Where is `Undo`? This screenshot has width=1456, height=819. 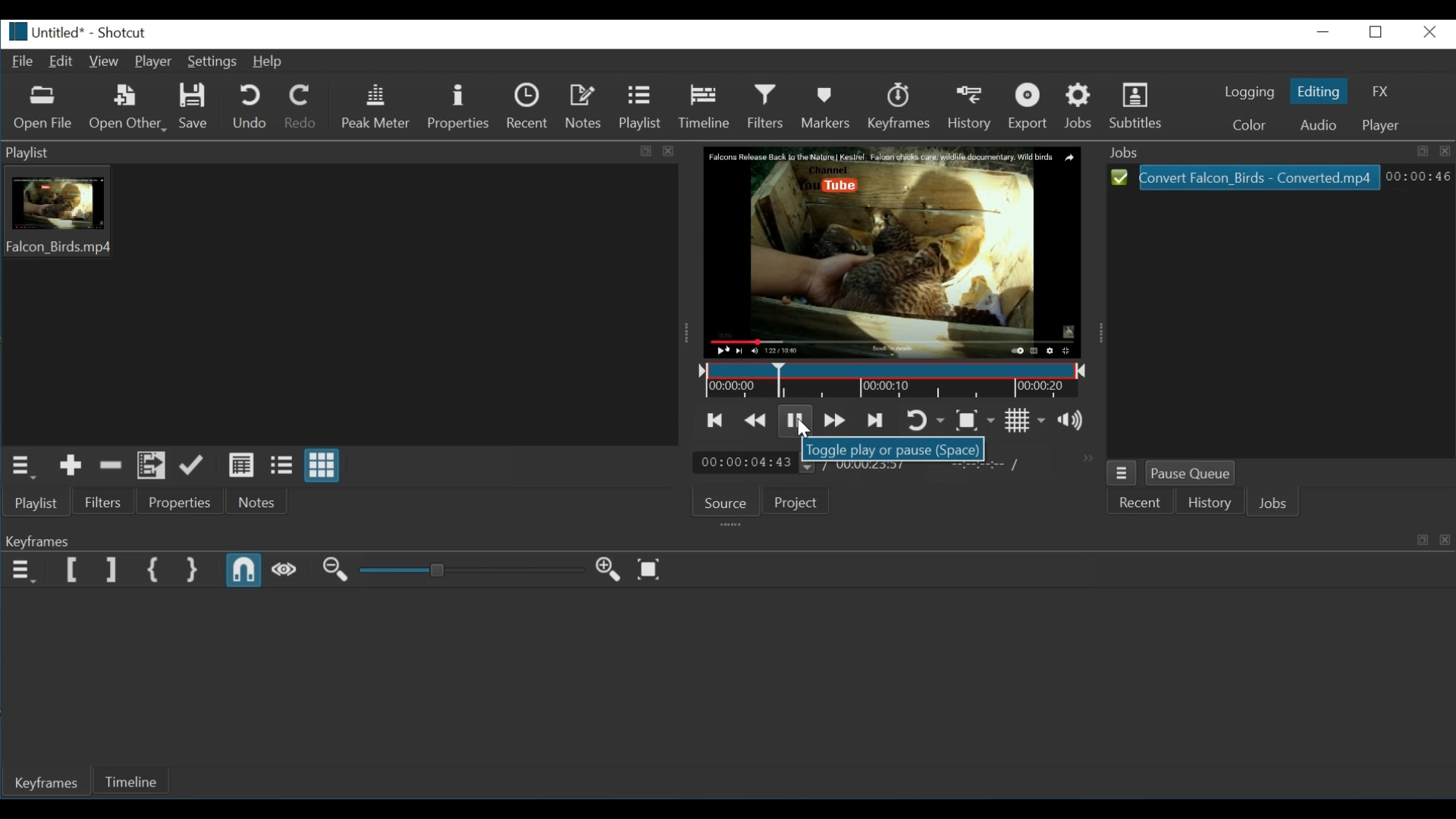
Undo is located at coordinates (251, 106).